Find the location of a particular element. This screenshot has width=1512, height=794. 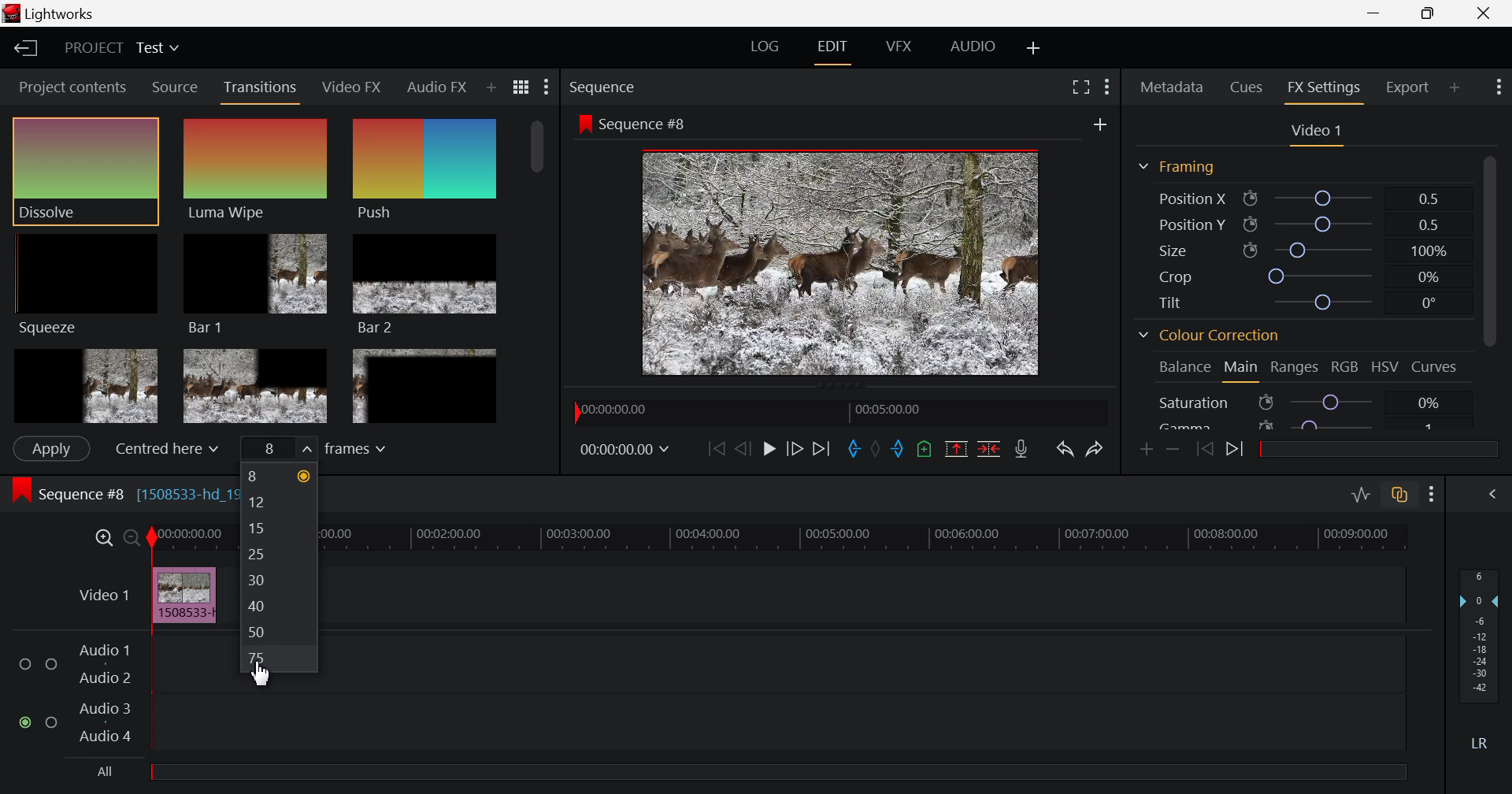

12 is located at coordinates (276, 502).